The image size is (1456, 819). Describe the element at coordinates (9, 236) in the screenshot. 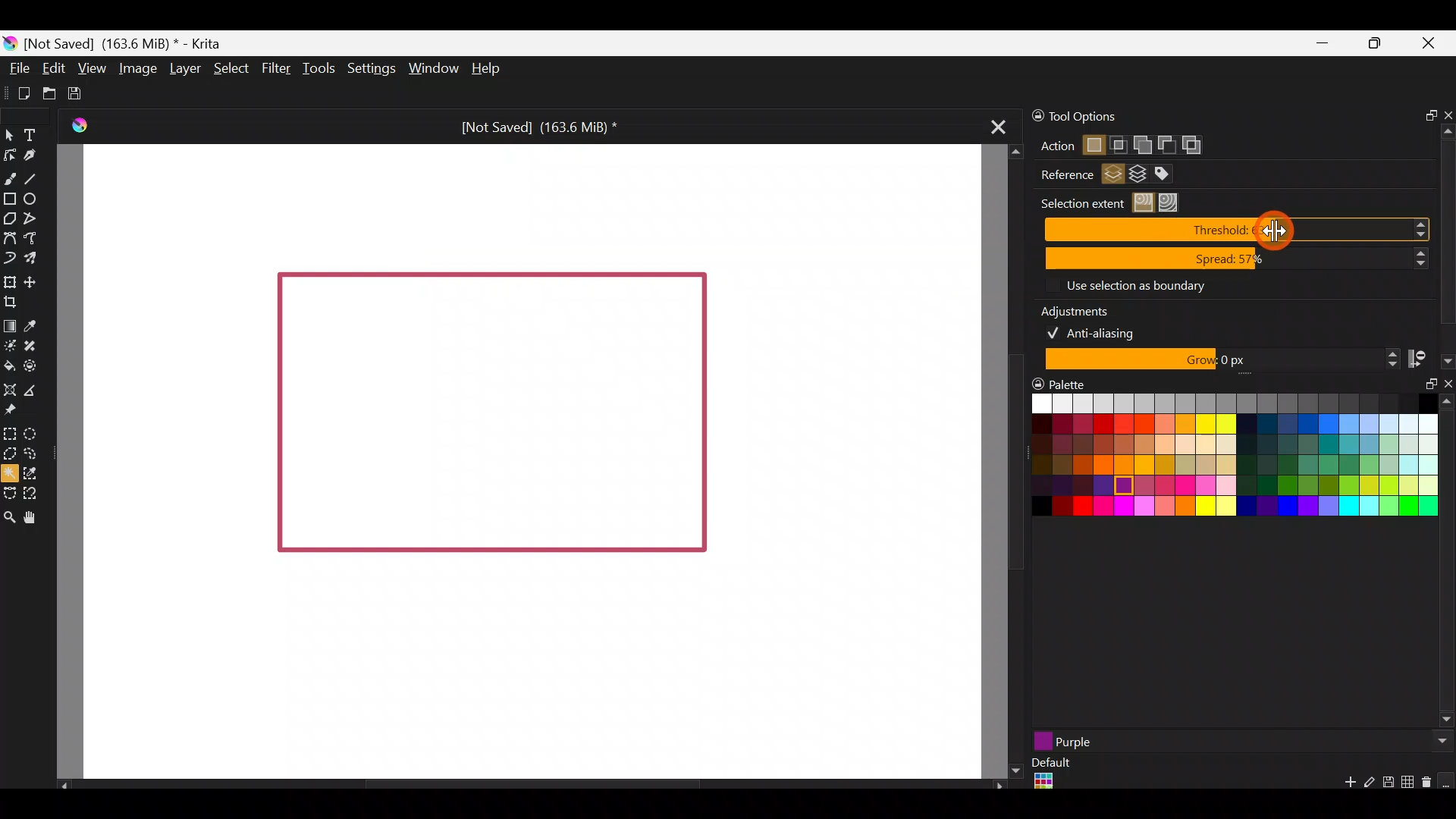

I see `Bezier curve tool` at that location.